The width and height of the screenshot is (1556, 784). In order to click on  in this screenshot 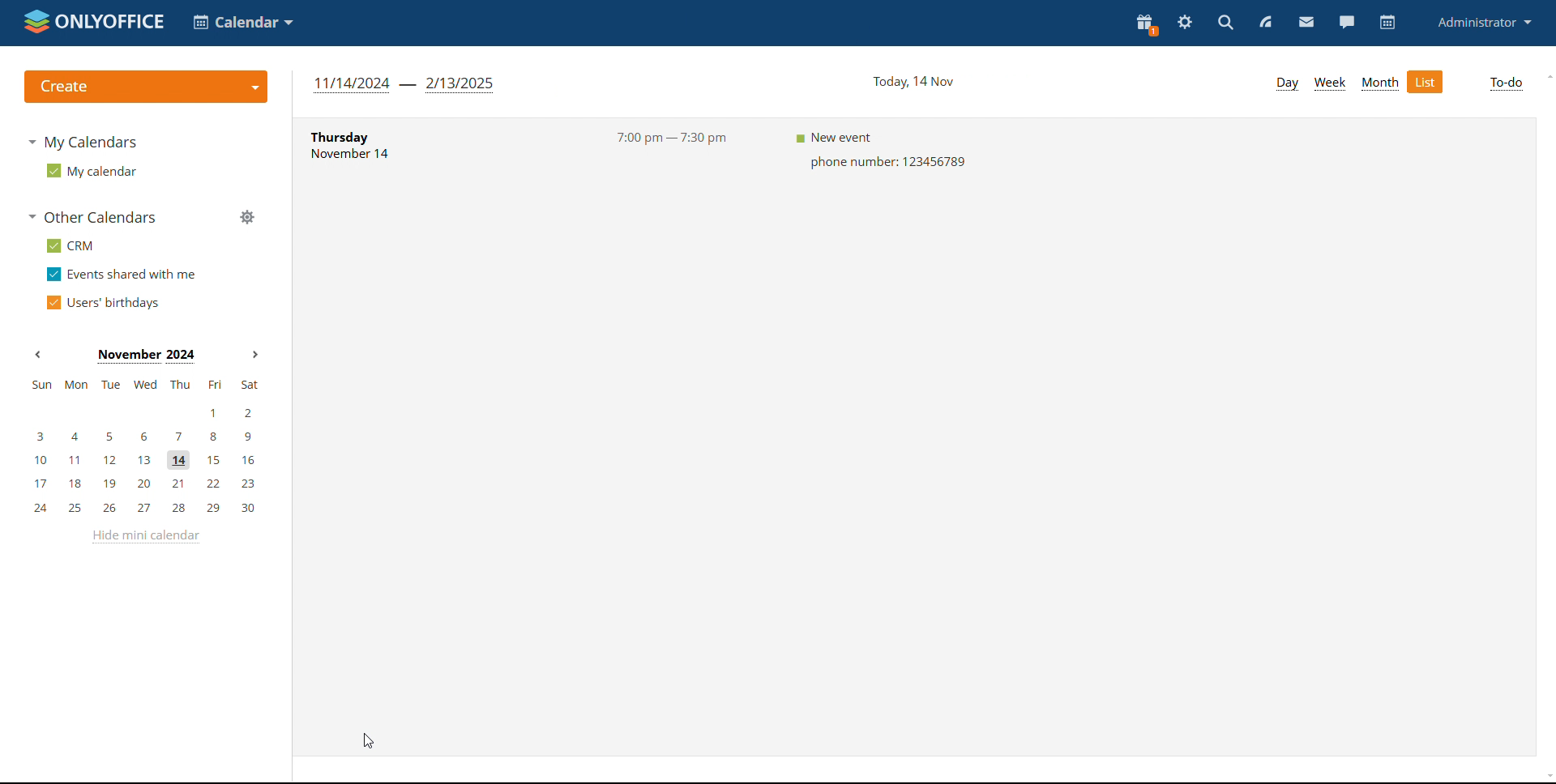, I will do `click(1381, 83)`.